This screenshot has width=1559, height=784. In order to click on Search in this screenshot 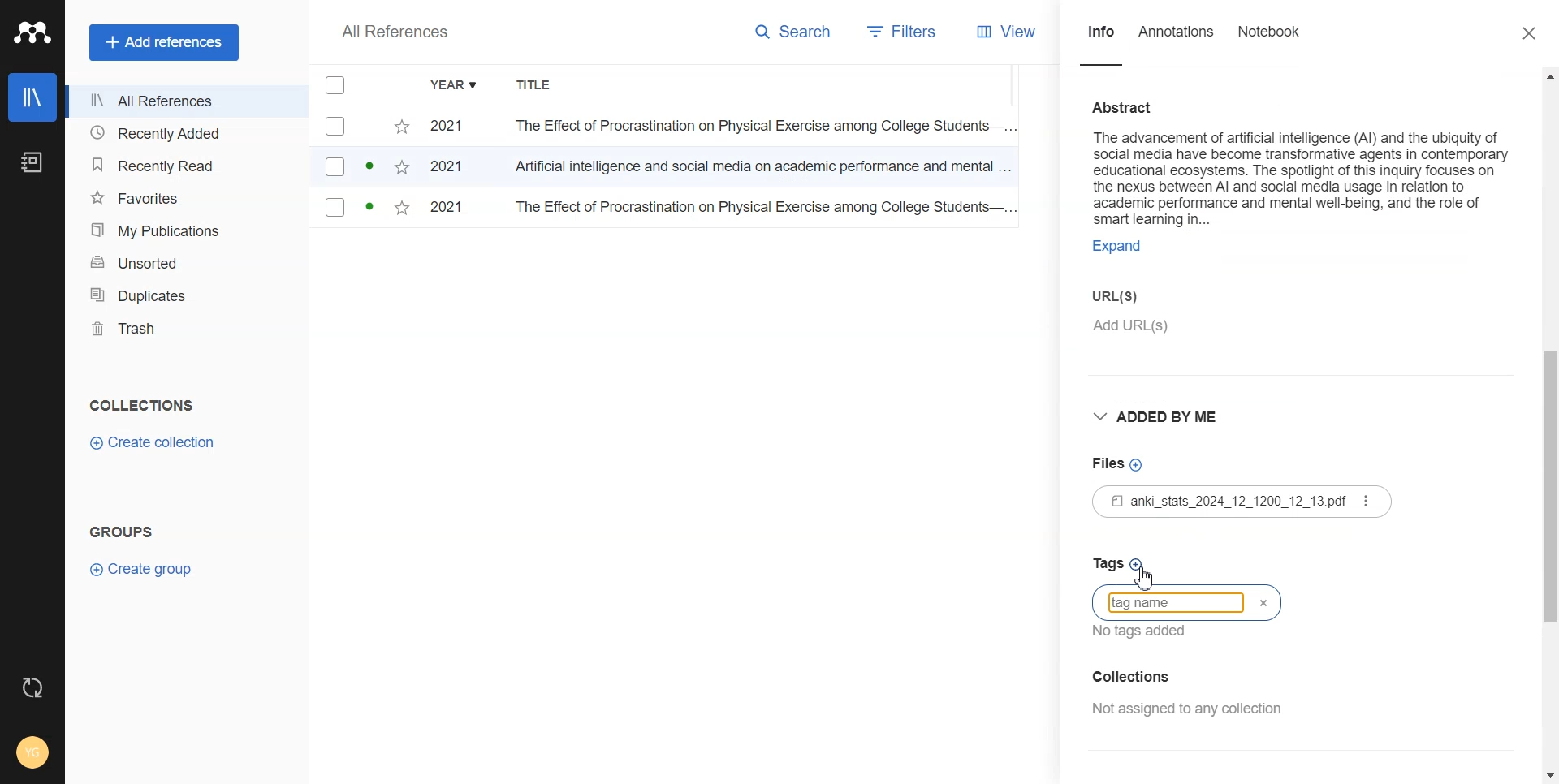, I will do `click(797, 32)`.